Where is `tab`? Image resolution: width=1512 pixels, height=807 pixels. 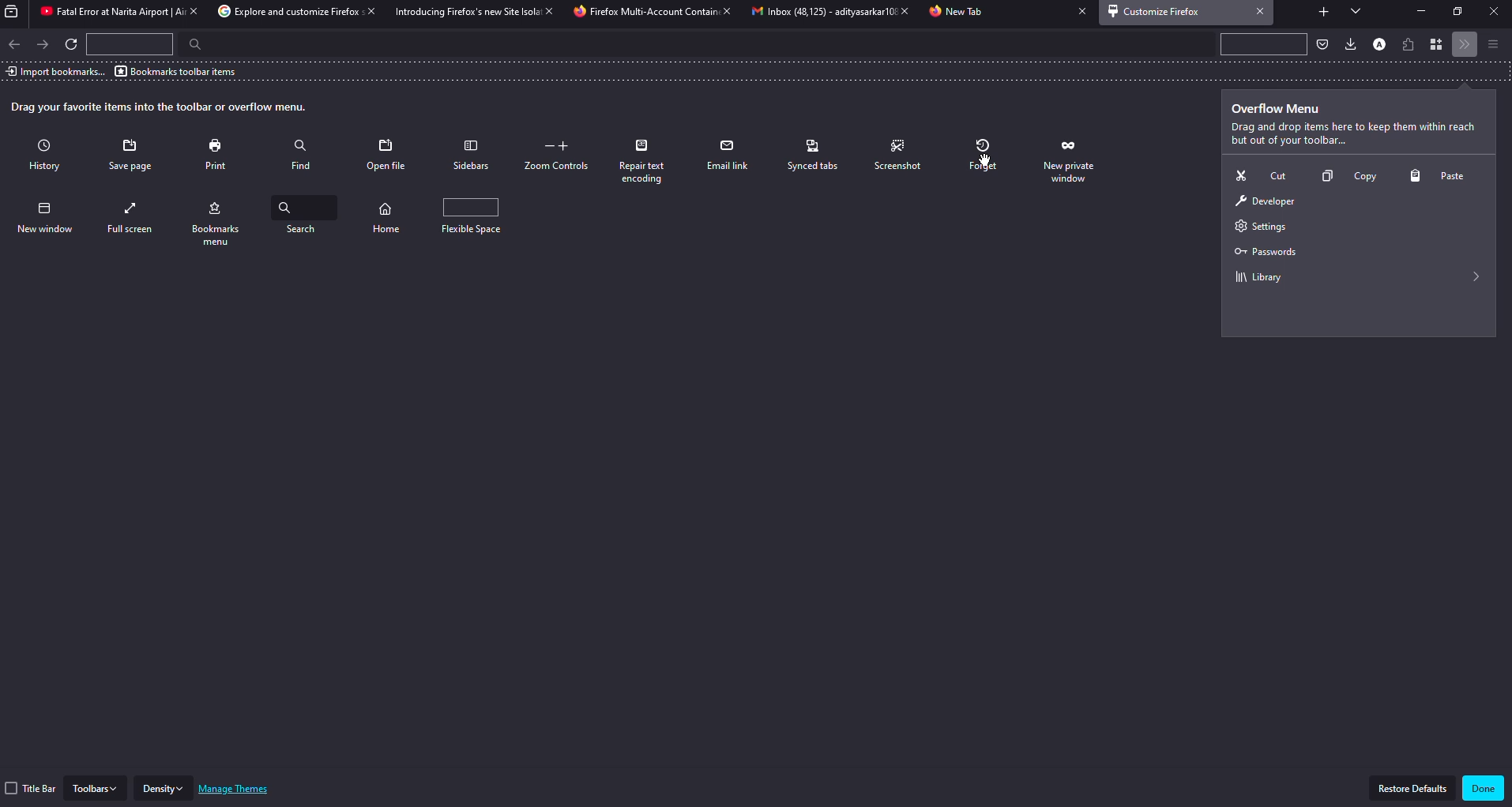
tab is located at coordinates (280, 12).